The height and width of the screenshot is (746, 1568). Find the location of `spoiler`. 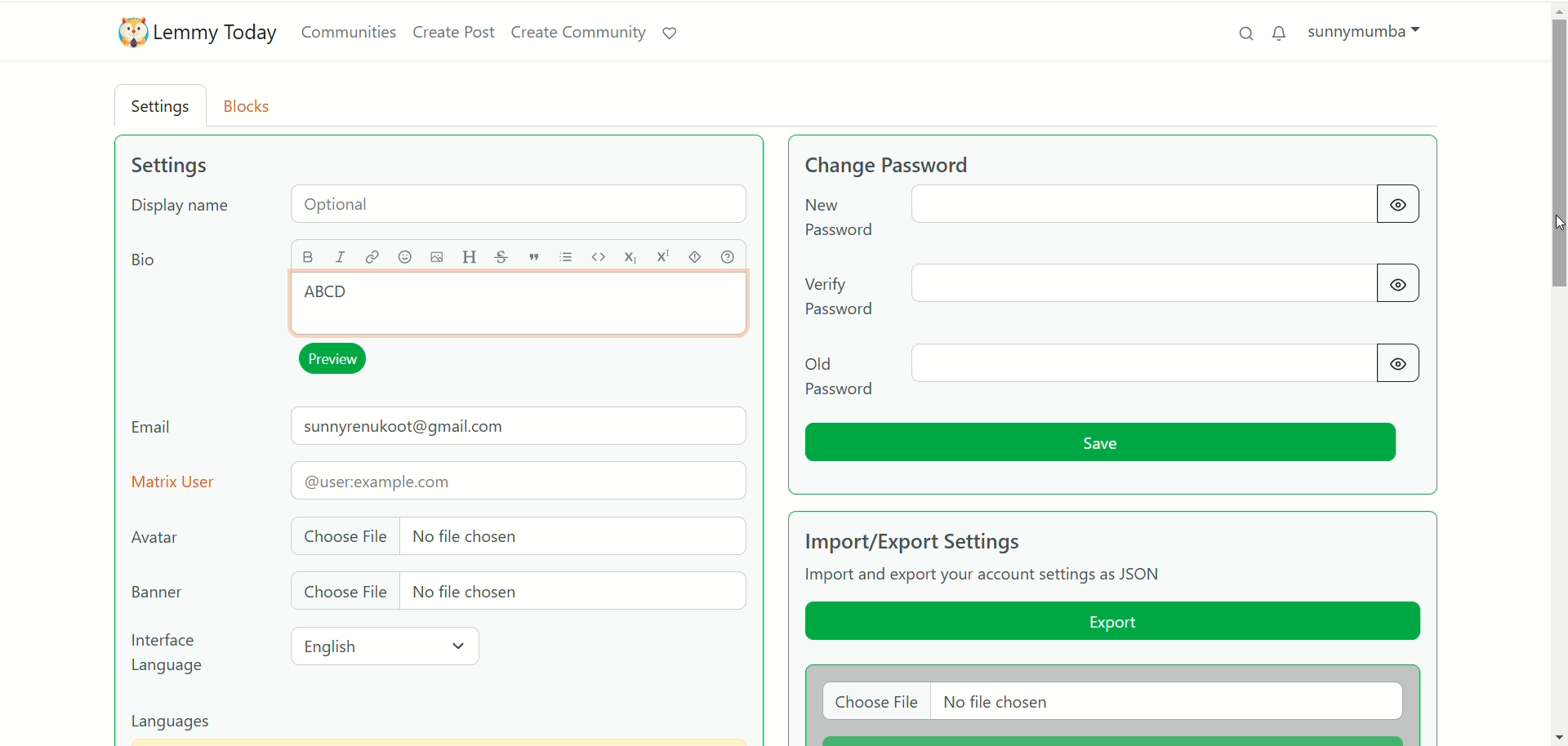

spoiler is located at coordinates (697, 256).